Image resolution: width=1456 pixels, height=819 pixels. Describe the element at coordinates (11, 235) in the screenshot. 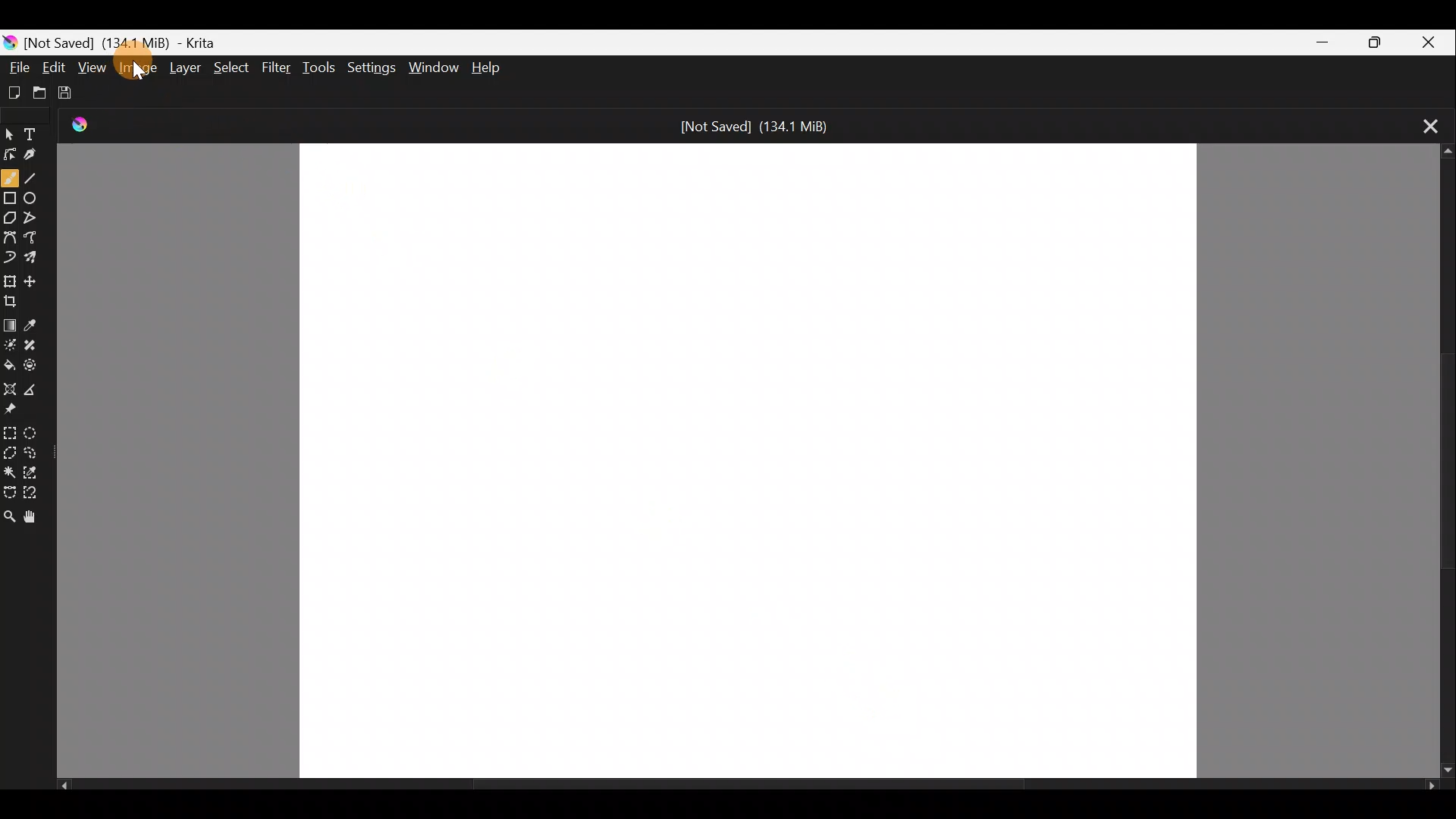

I see `Bezier curve tool` at that location.